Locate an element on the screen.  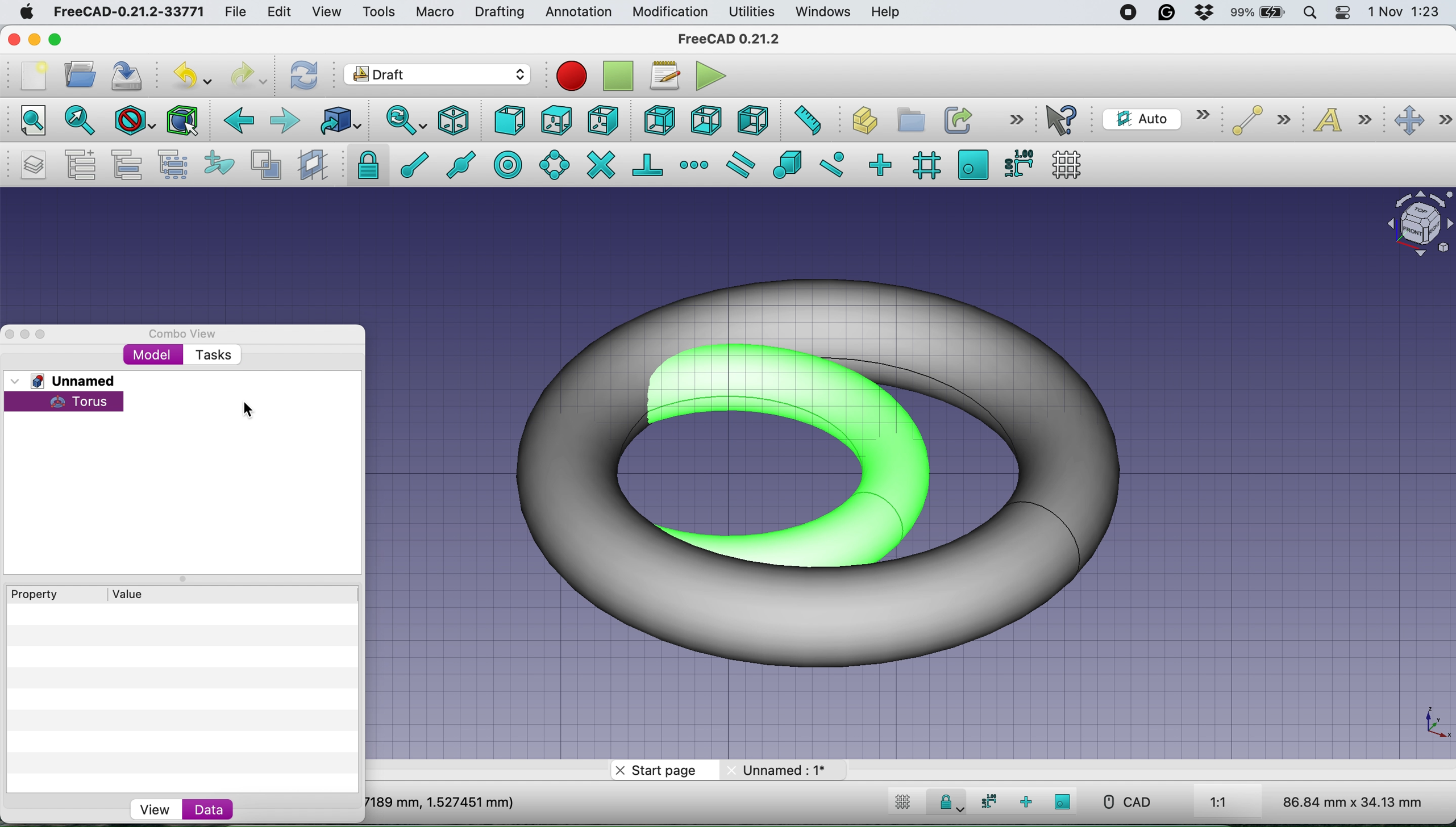
battery is located at coordinates (1259, 14).